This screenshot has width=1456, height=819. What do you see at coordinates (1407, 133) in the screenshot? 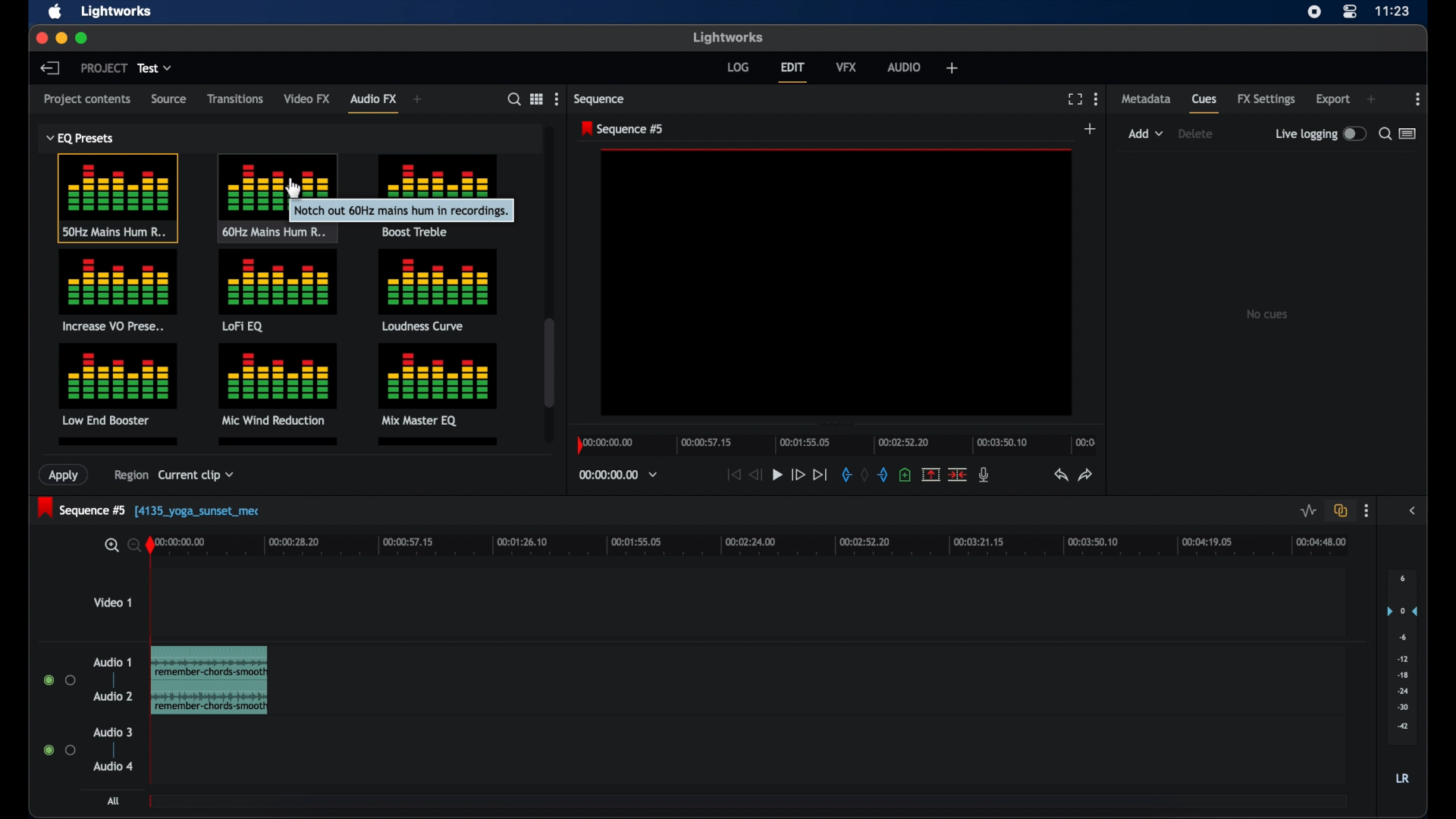
I see `toggle list  or logger view` at bounding box center [1407, 133].